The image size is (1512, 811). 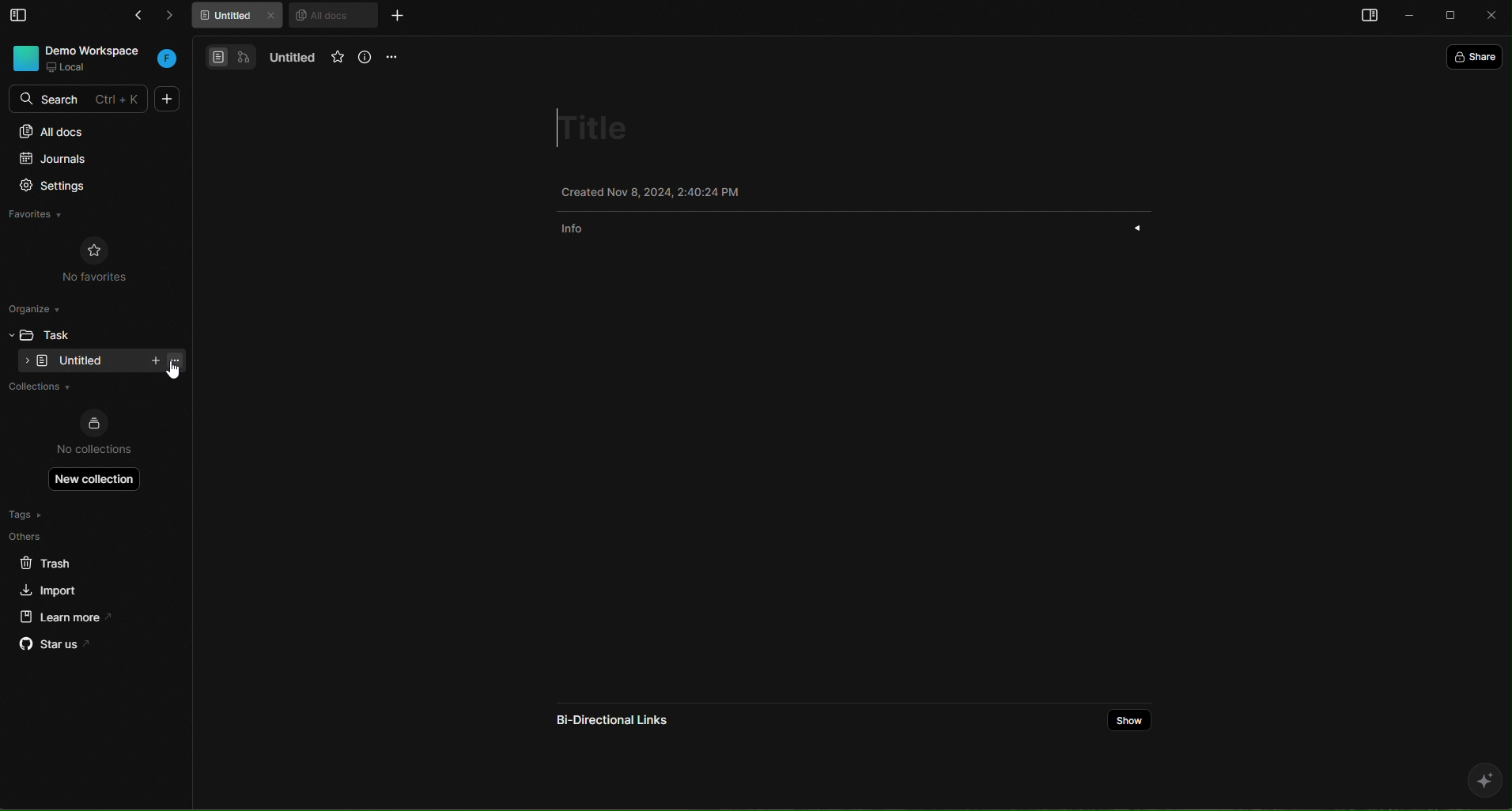 I want to click on task, so click(x=64, y=333).